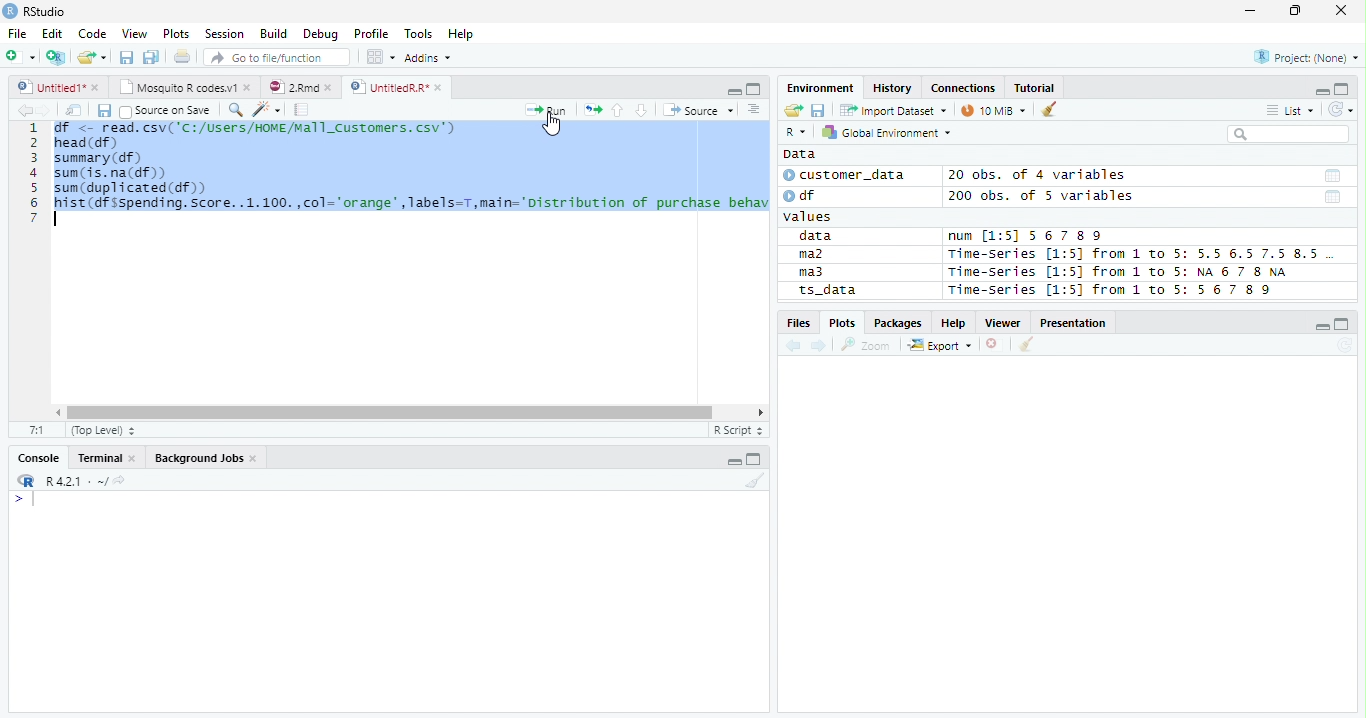 This screenshot has height=718, width=1366. What do you see at coordinates (752, 109) in the screenshot?
I see `Show document outline` at bounding box center [752, 109].